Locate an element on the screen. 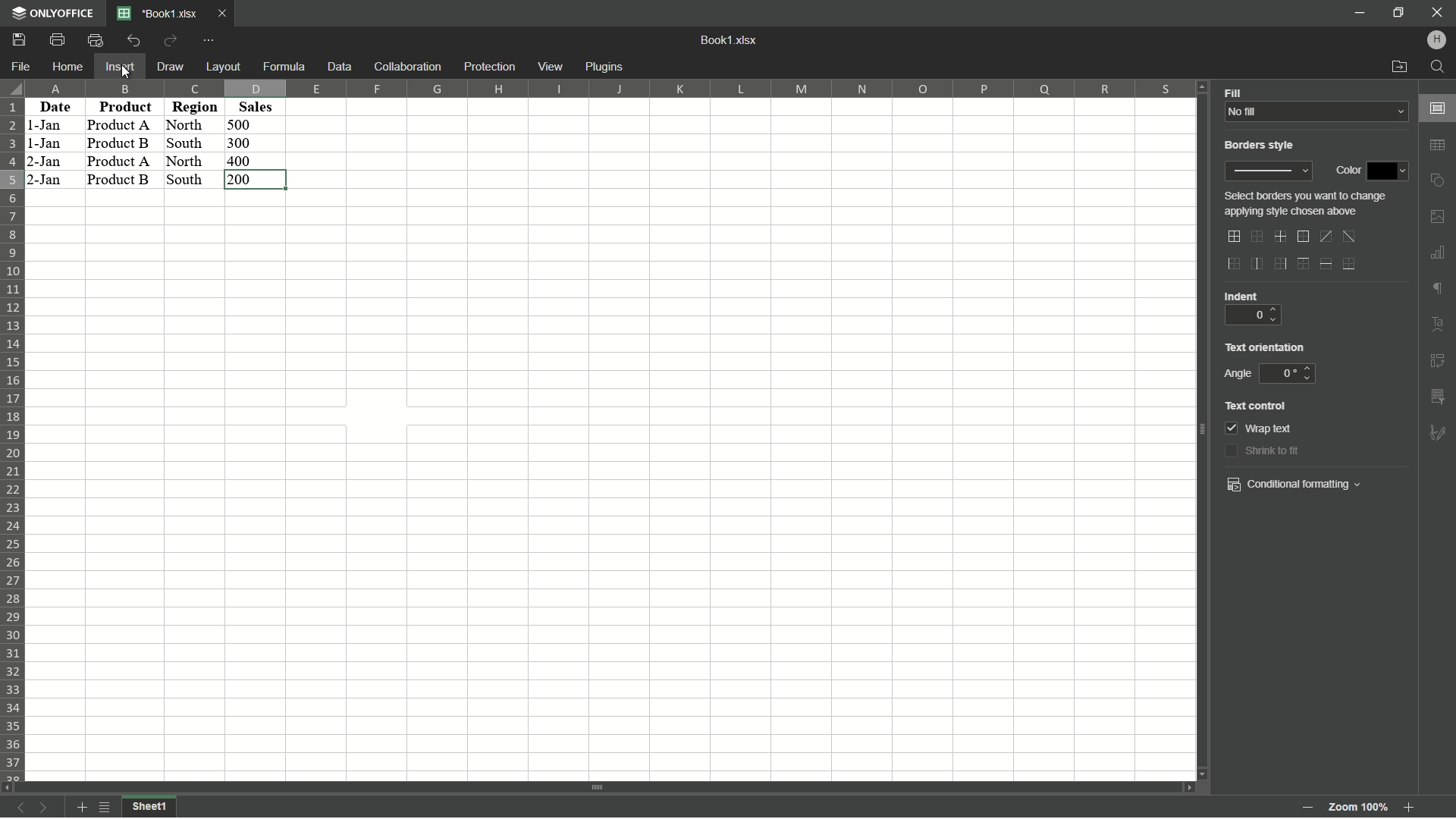 The height and width of the screenshot is (819, 1456). sheet1 is located at coordinates (207, 806).